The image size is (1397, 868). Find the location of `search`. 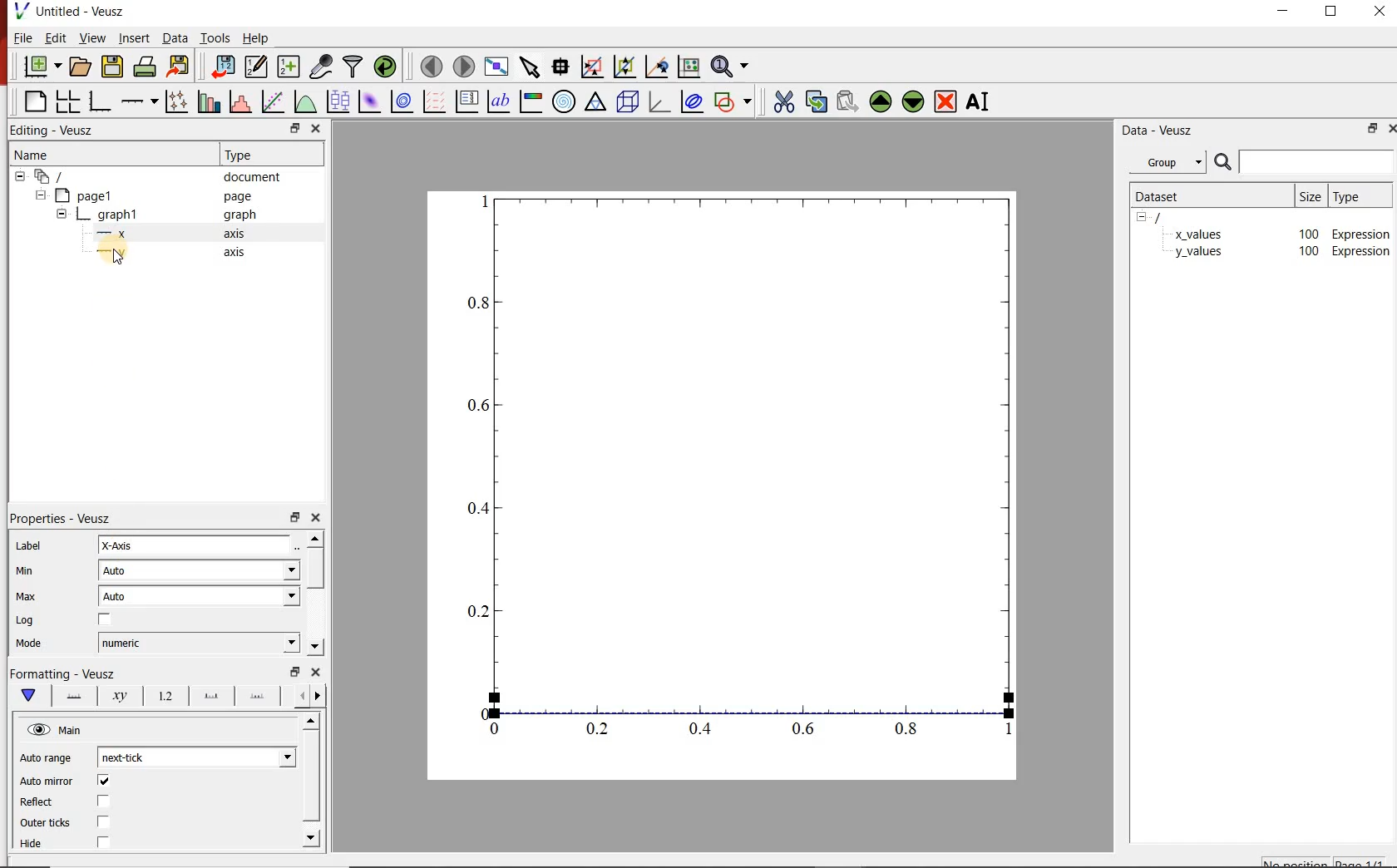

search is located at coordinates (1221, 162).